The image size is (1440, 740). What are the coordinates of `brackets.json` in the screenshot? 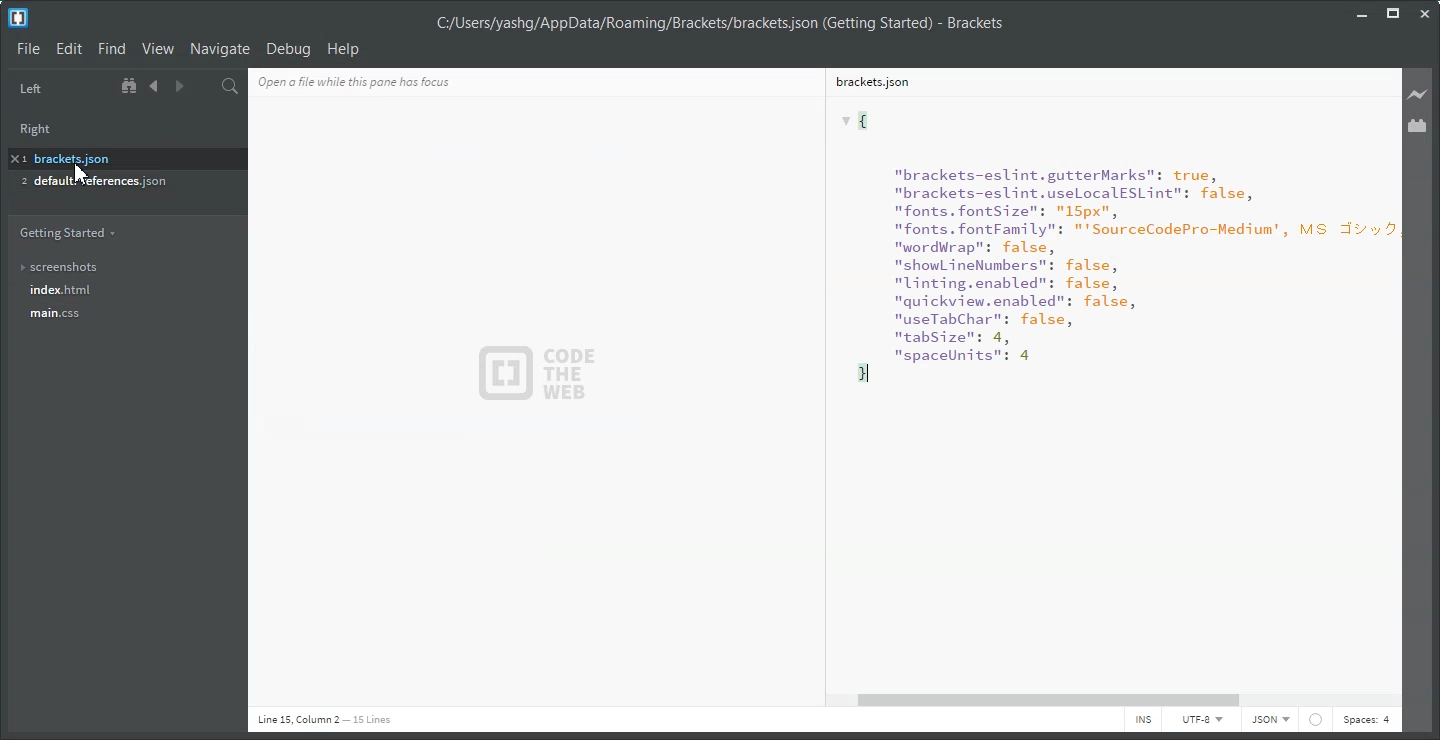 It's located at (121, 157).